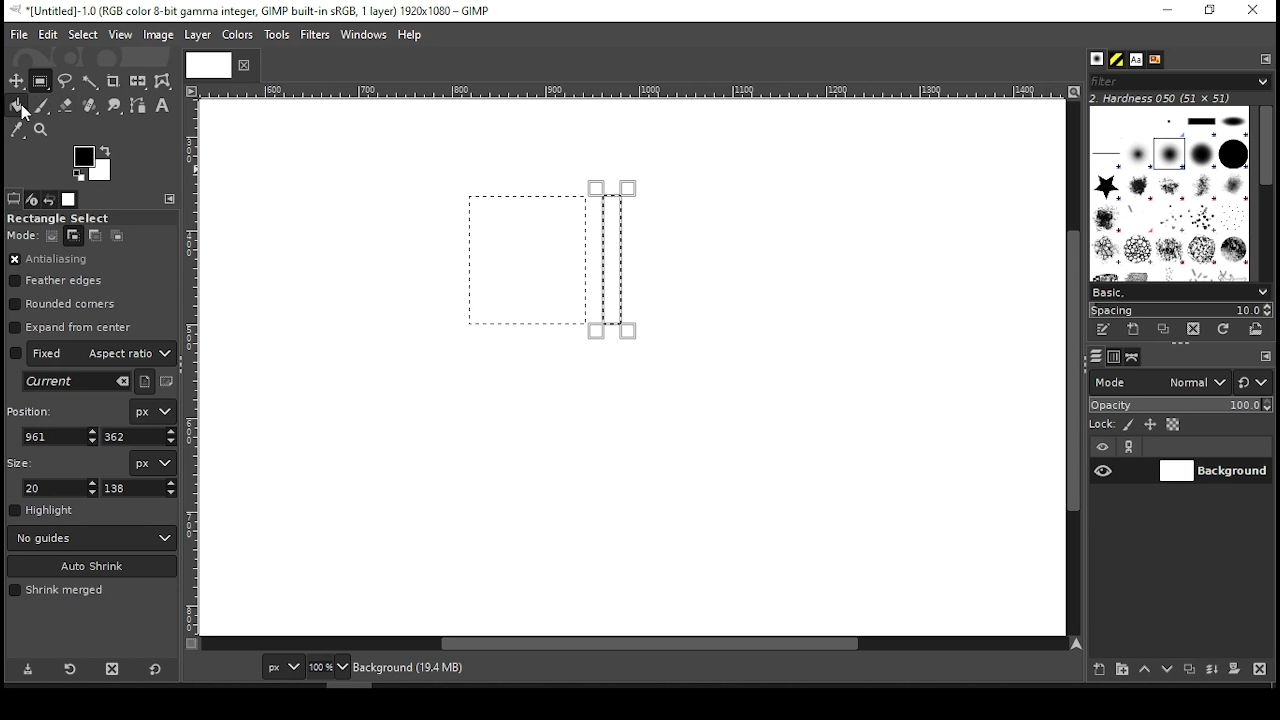 The image size is (1280, 720). Describe the element at coordinates (92, 107) in the screenshot. I see `heal tool` at that location.